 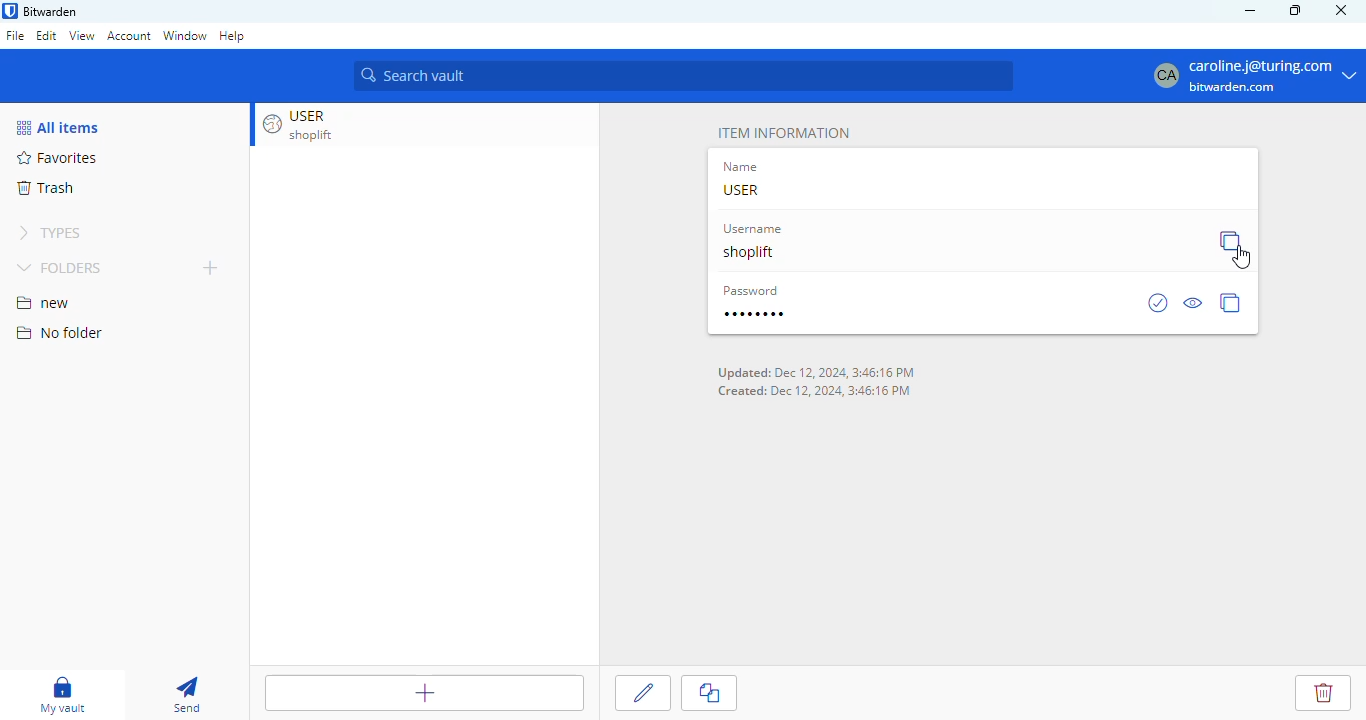 What do you see at coordinates (59, 332) in the screenshot?
I see `no folder` at bounding box center [59, 332].